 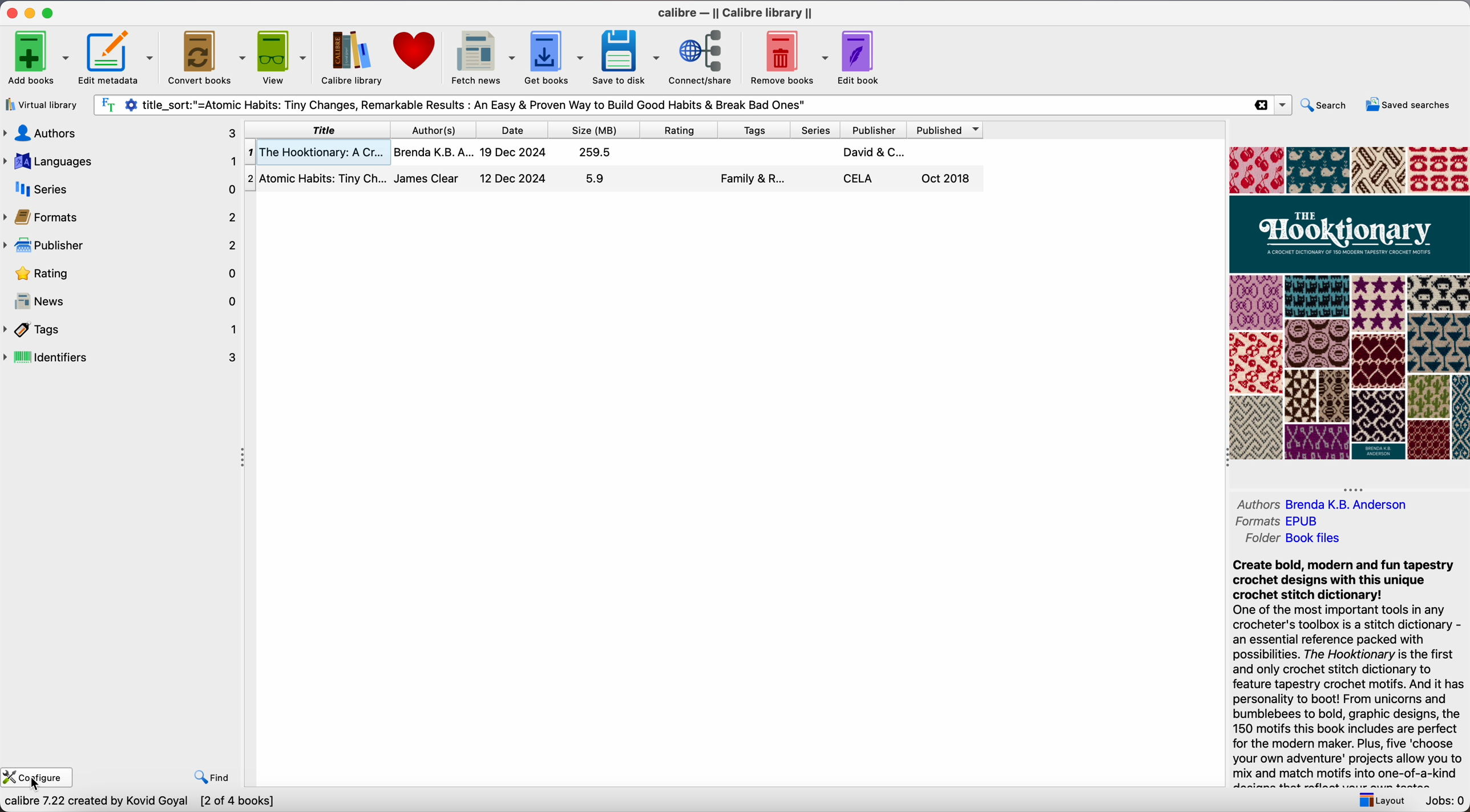 What do you see at coordinates (514, 129) in the screenshot?
I see `date` at bounding box center [514, 129].